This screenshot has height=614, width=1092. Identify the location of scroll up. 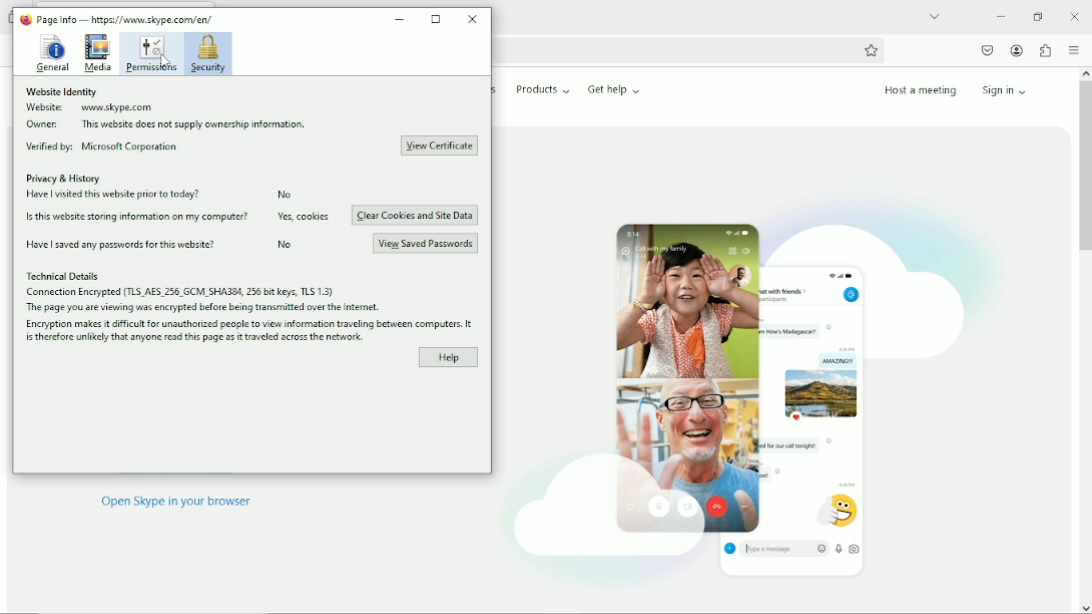
(1083, 73).